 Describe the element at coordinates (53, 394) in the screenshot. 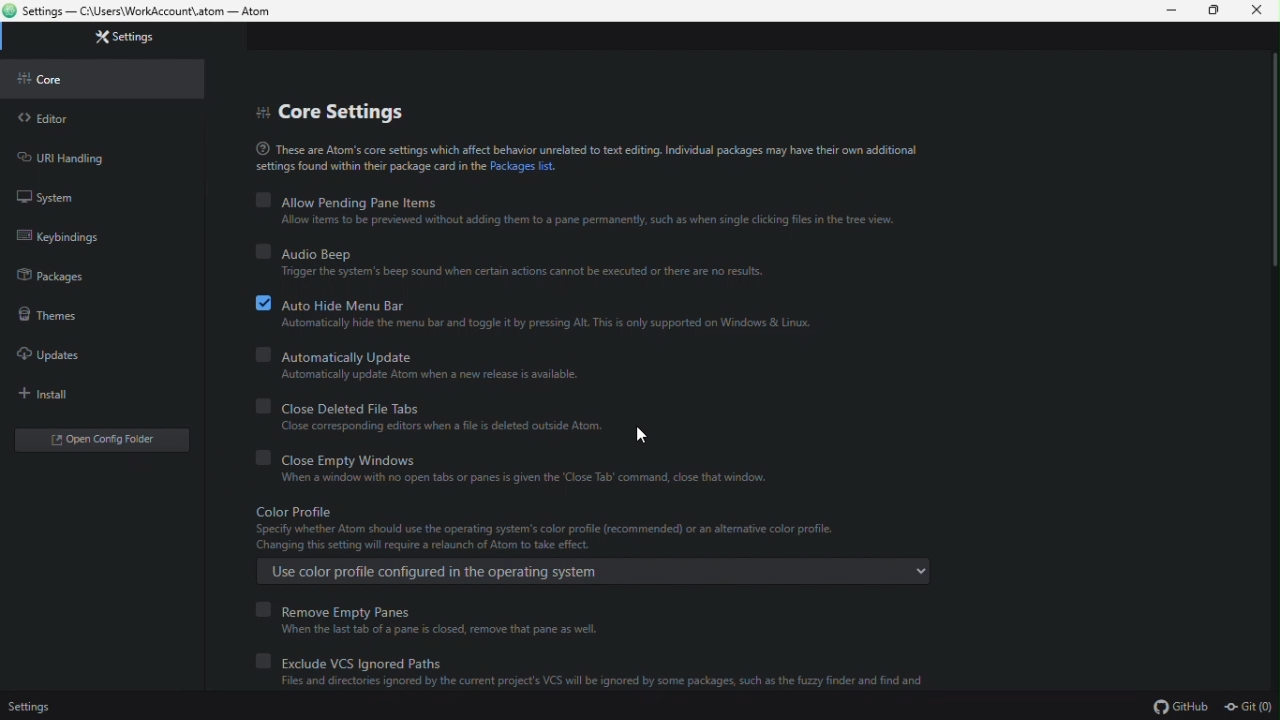

I see `Install` at that location.